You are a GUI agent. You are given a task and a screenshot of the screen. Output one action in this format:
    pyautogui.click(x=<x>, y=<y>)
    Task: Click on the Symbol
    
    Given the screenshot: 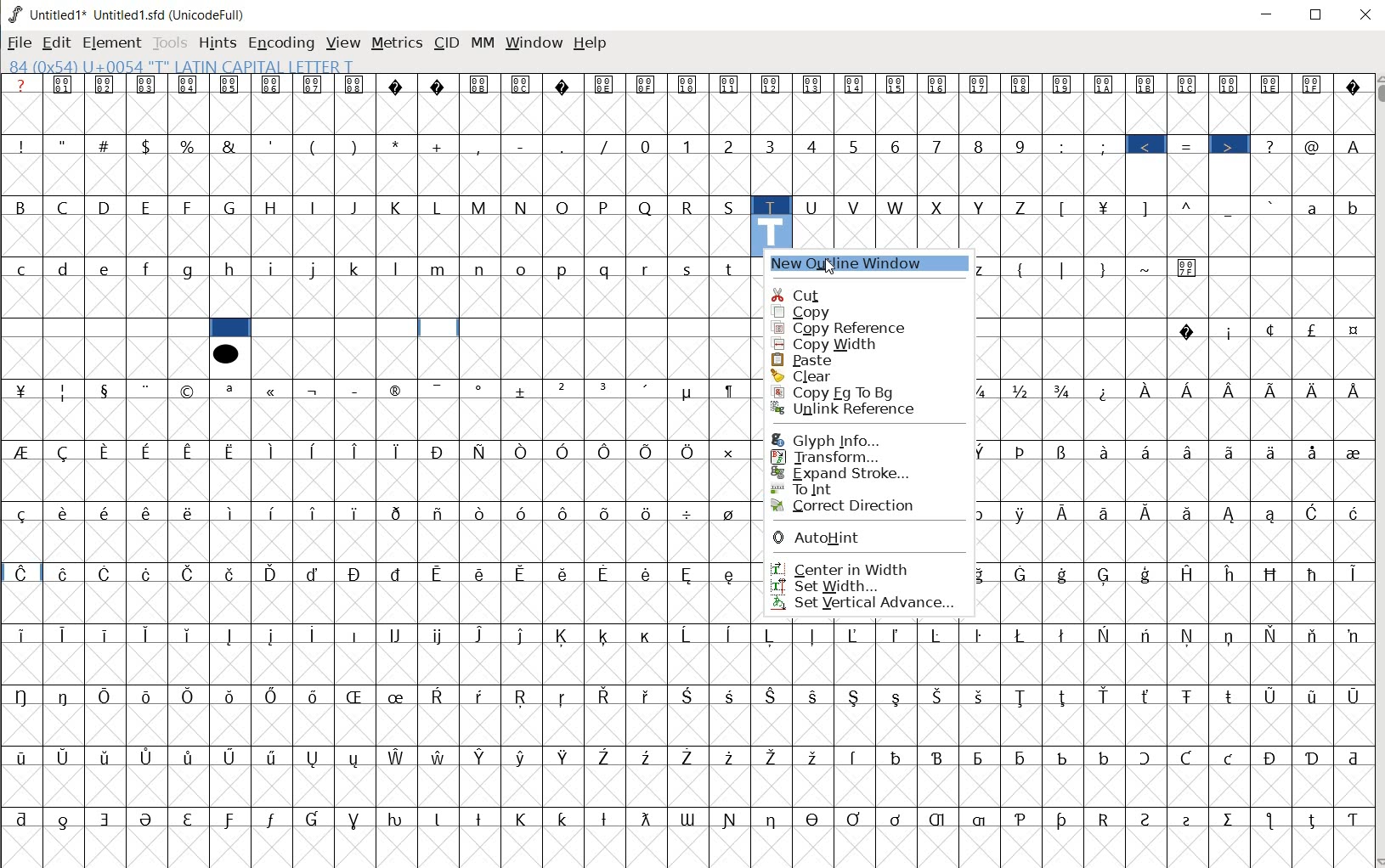 What is the action you would take?
    pyautogui.click(x=358, y=511)
    